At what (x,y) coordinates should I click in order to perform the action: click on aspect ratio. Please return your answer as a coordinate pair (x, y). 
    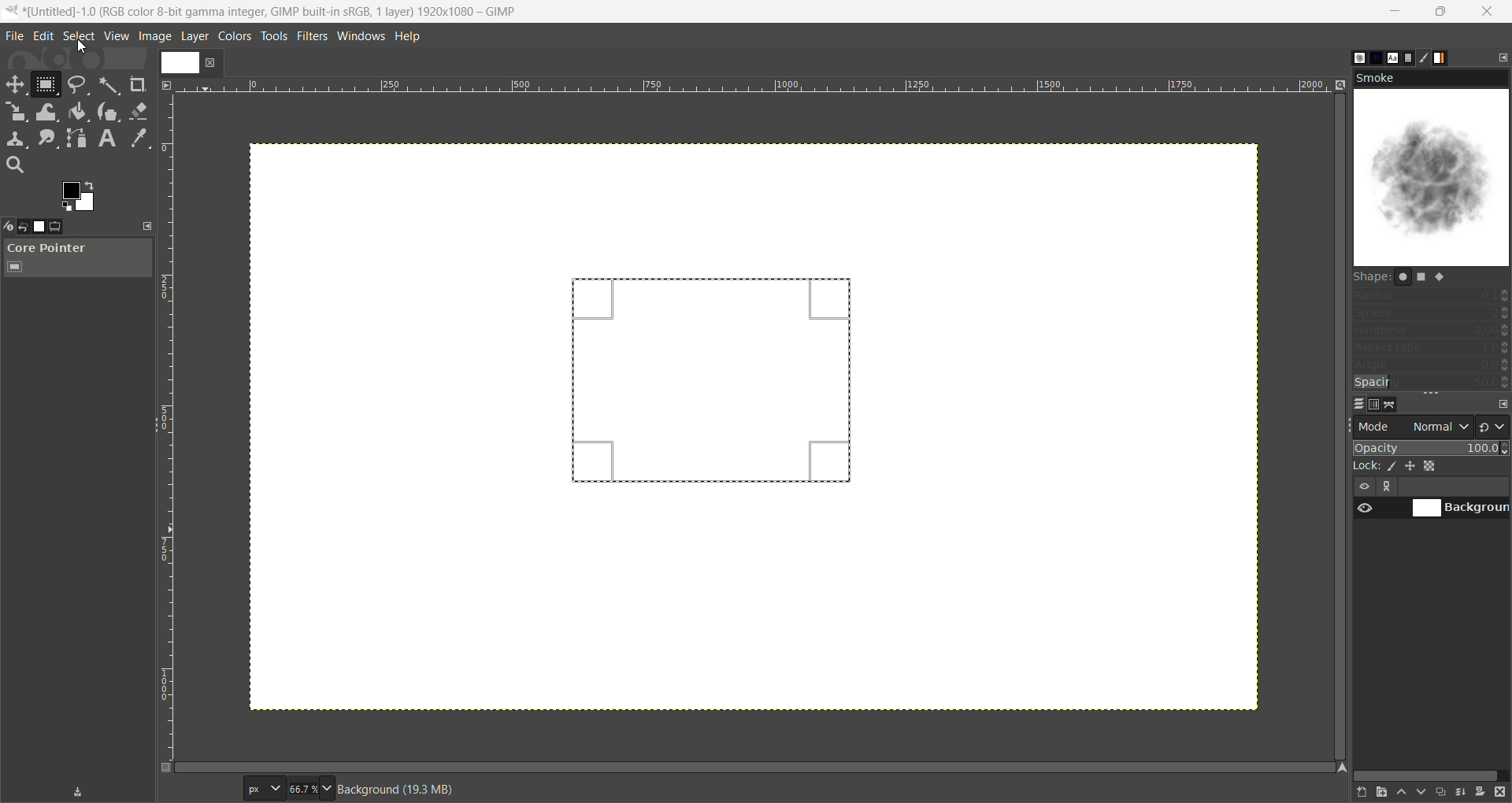
    Looking at the image, I should click on (1432, 349).